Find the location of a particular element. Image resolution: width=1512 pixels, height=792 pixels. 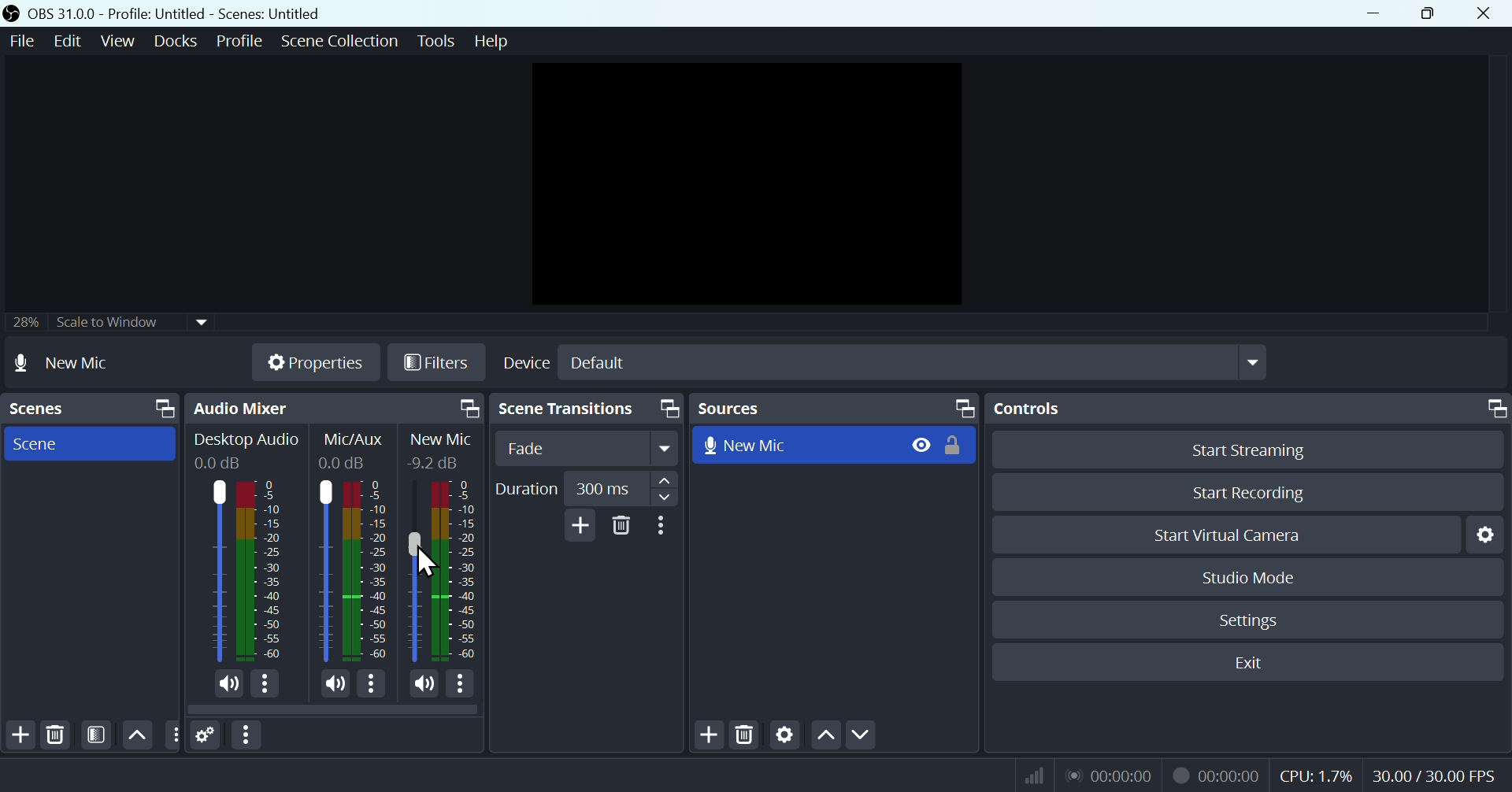

Desktop Audio is located at coordinates (215, 571).